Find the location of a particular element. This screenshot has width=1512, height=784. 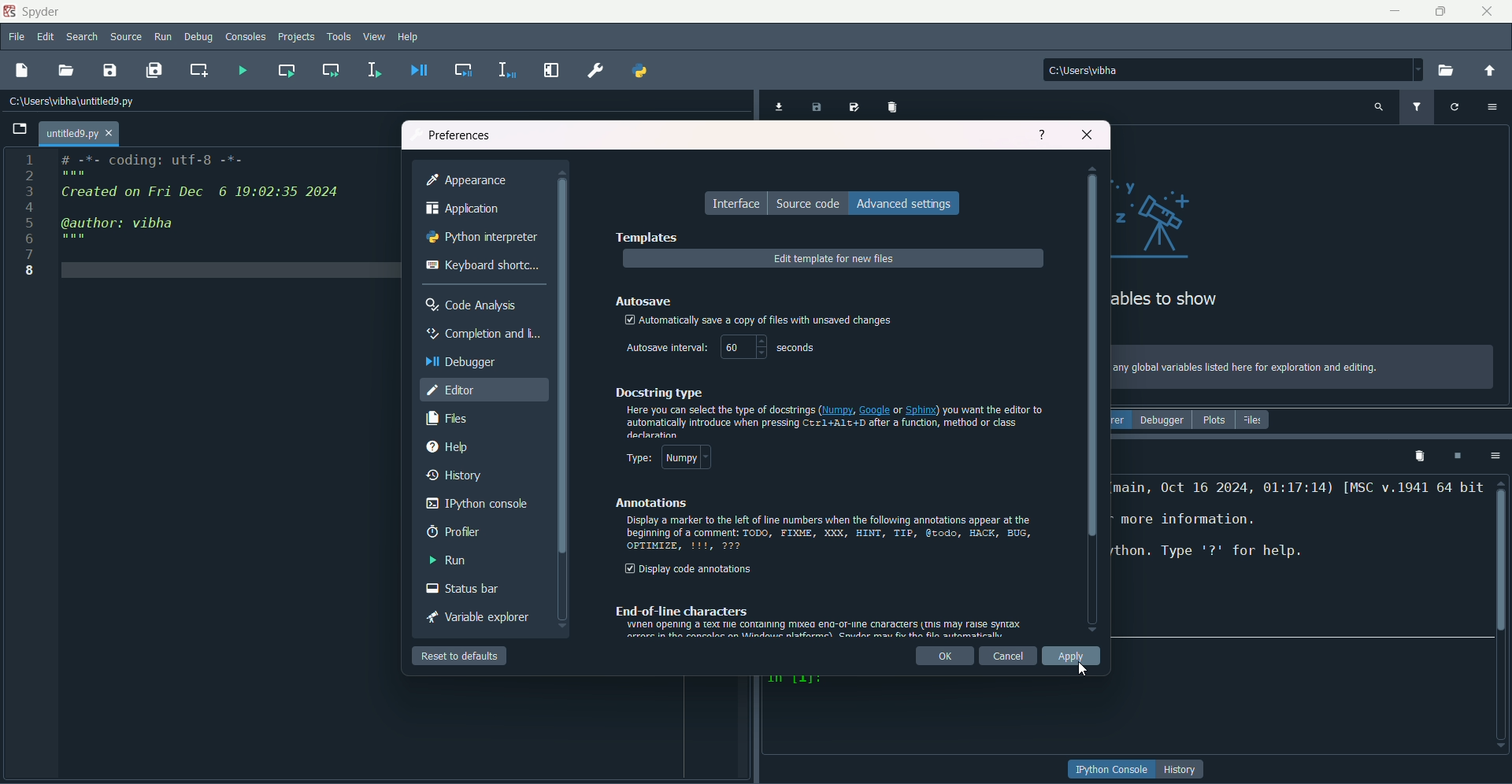

dockstring type is located at coordinates (658, 392).